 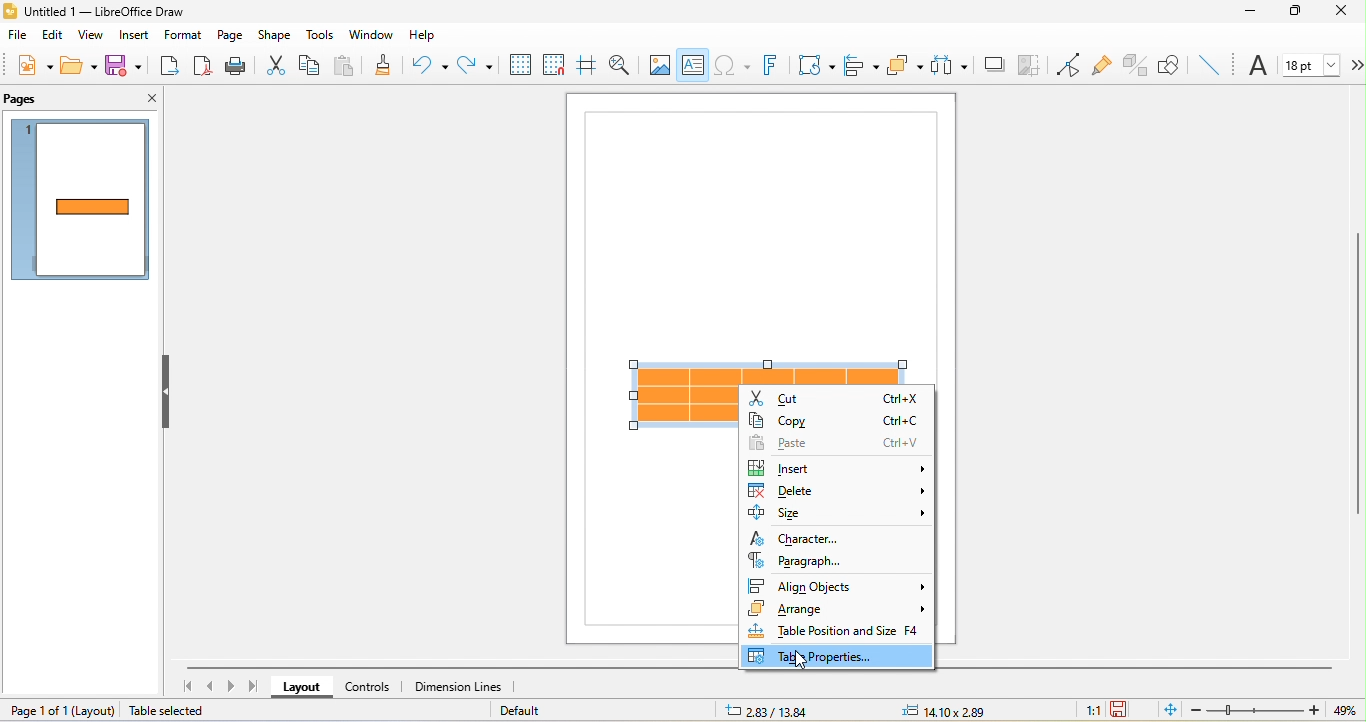 I want to click on minimize, so click(x=1253, y=14).